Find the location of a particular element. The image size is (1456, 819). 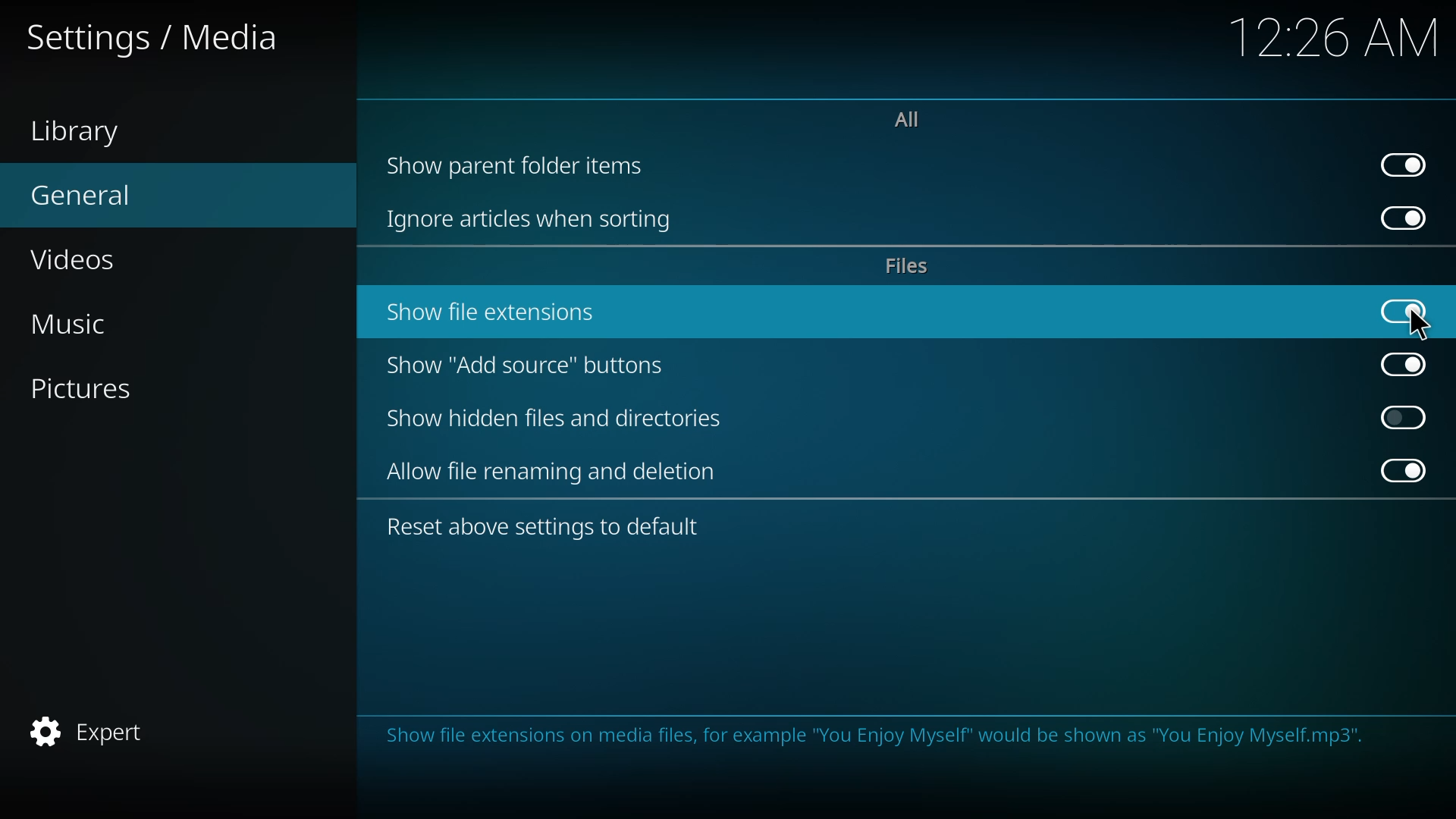

pictures is located at coordinates (99, 390).